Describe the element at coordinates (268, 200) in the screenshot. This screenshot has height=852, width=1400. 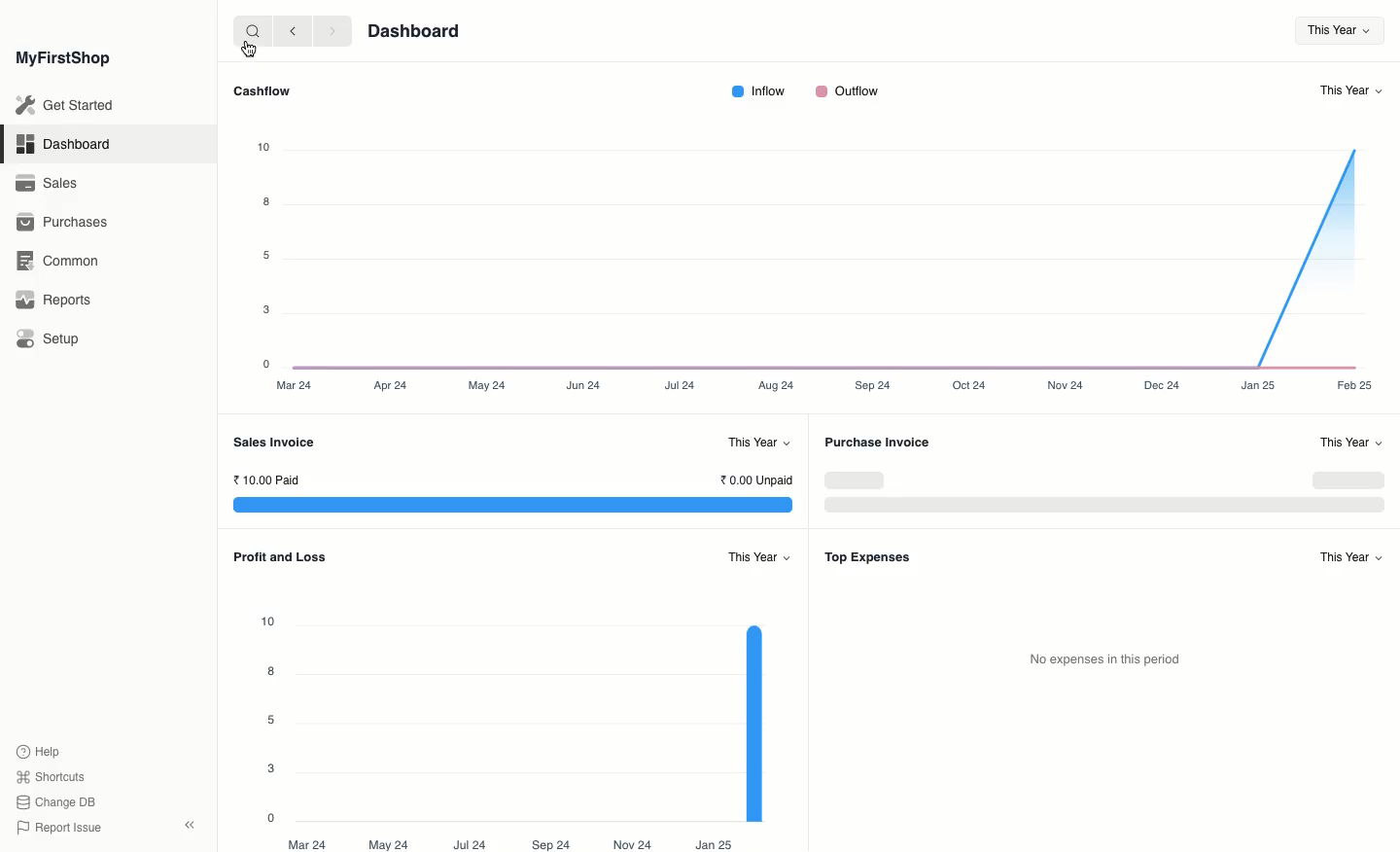
I see `8` at that location.